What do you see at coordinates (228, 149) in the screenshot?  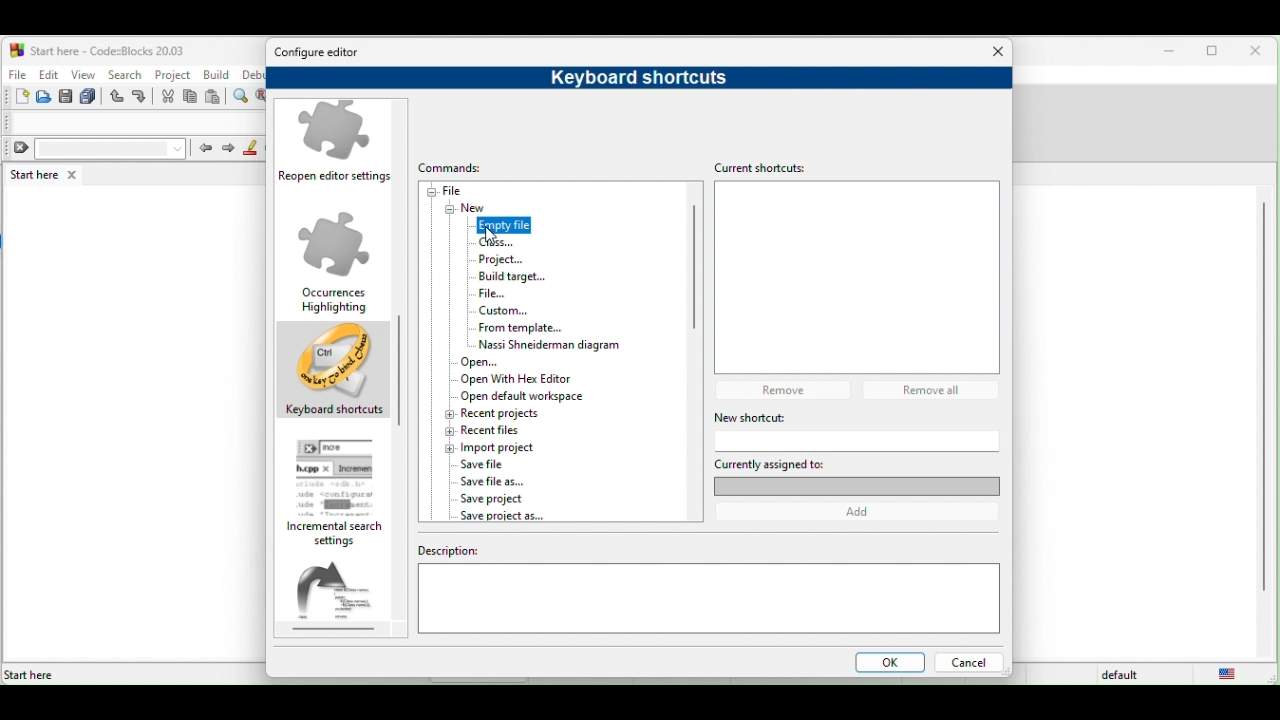 I see `next ` at bounding box center [228, 149].